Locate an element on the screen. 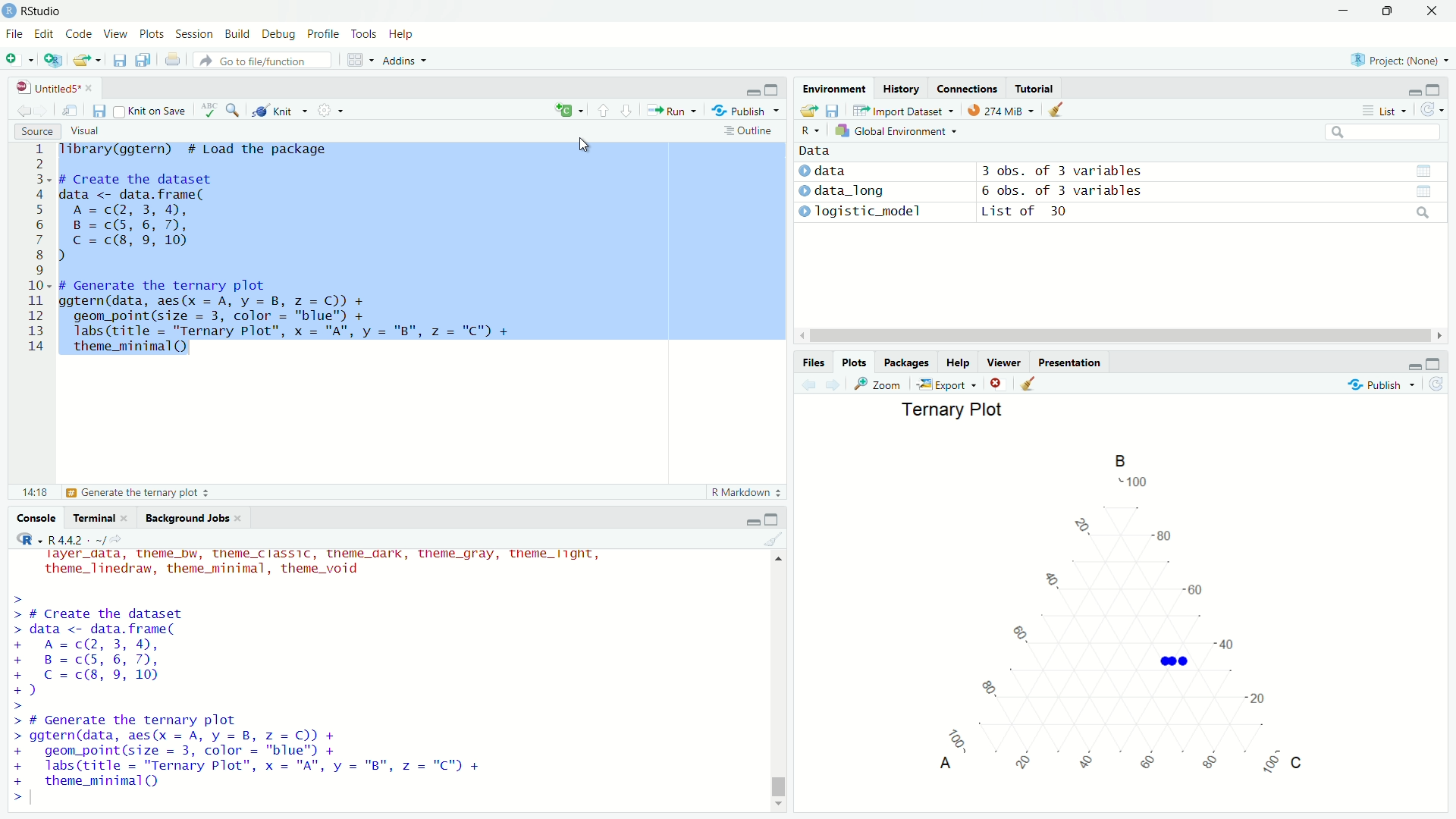 The width and height of the screenshot is (1456, 819). Temporary Plot is located at coordinates (949, 410).